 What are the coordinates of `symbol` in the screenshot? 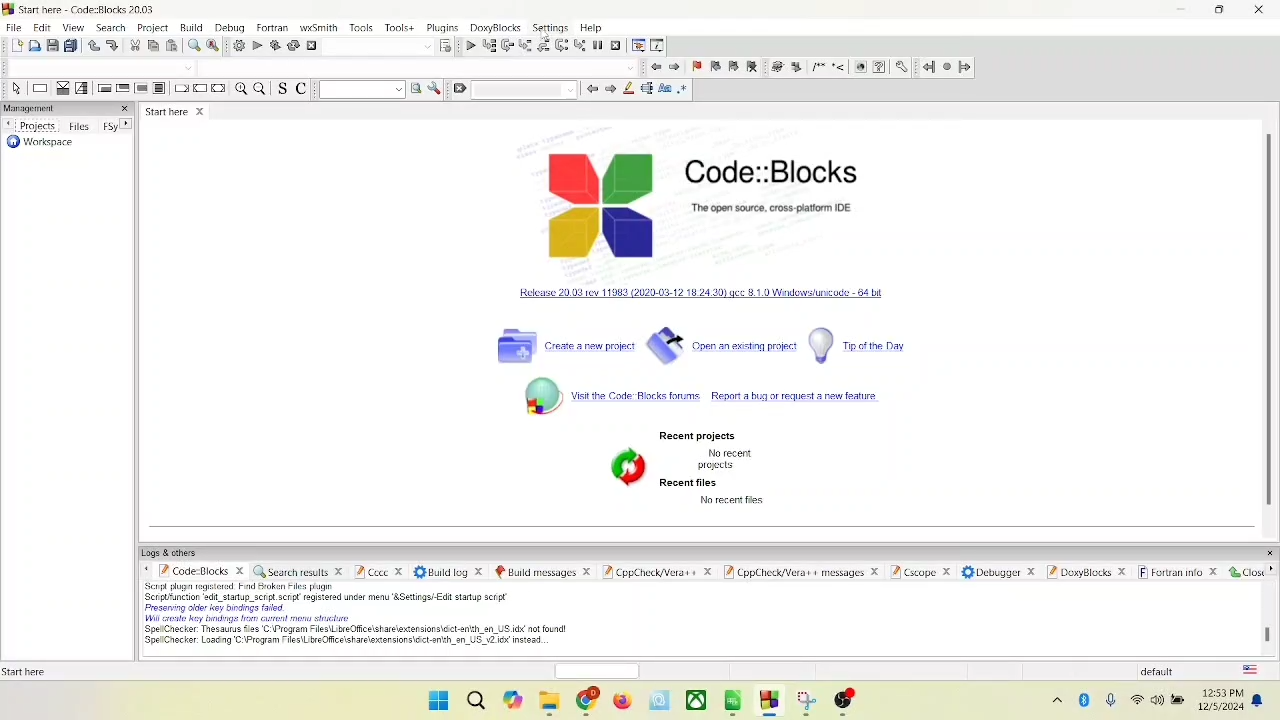 It's located at (533, 396).